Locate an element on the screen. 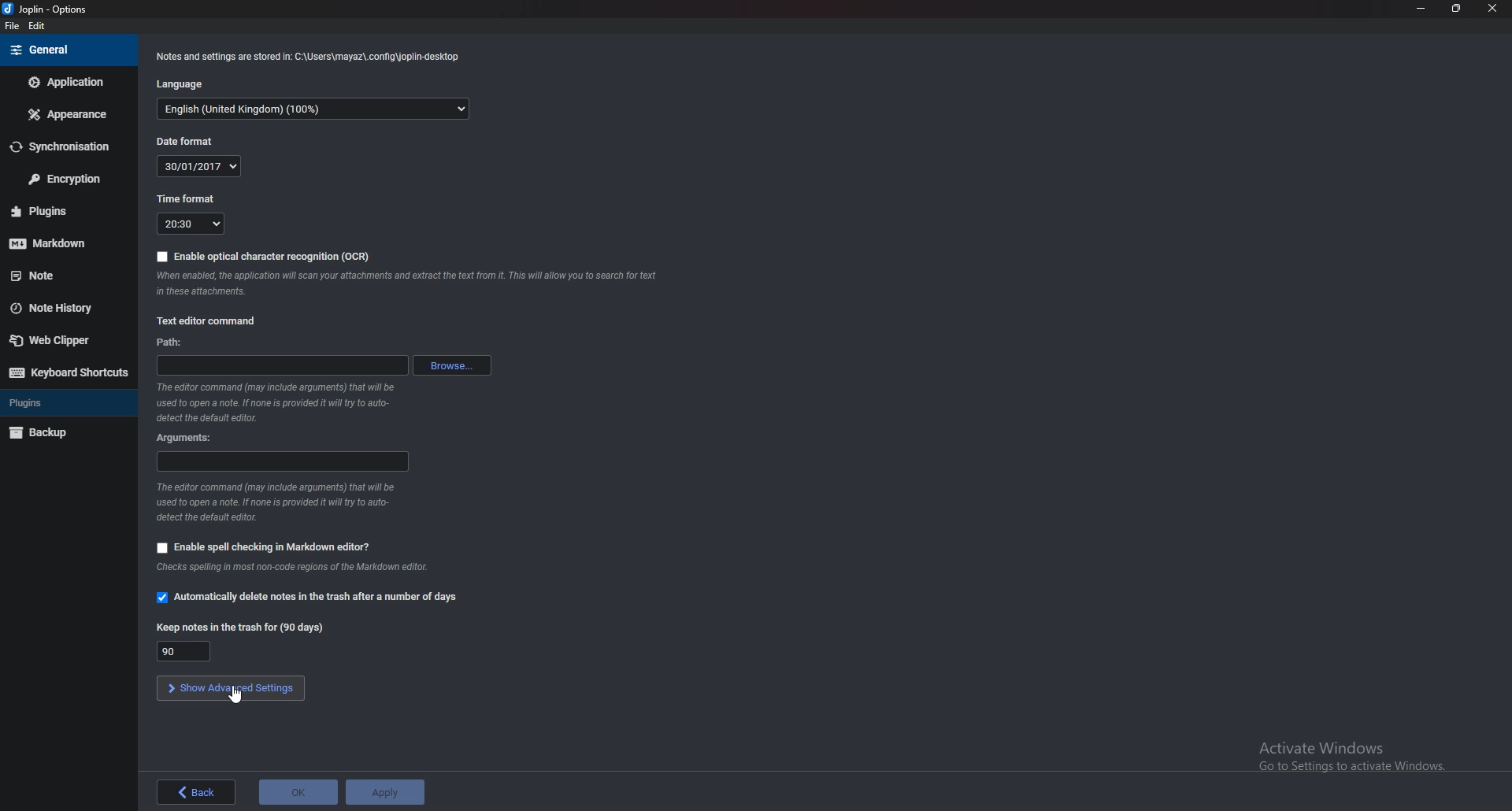 This screenshot has width=1512, height=811. Application is located at coordinates (65, 83).